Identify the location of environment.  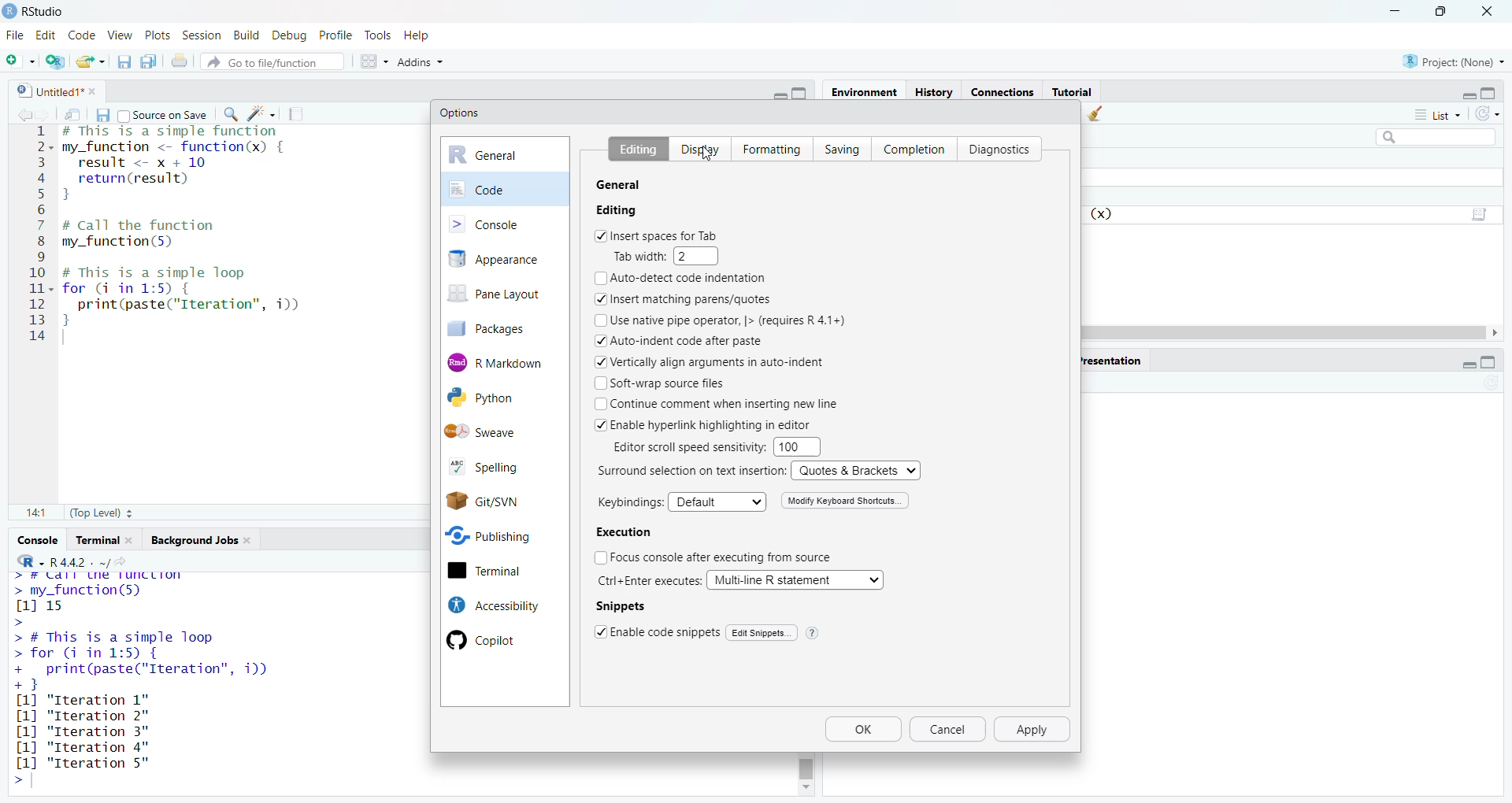
(866, 92).